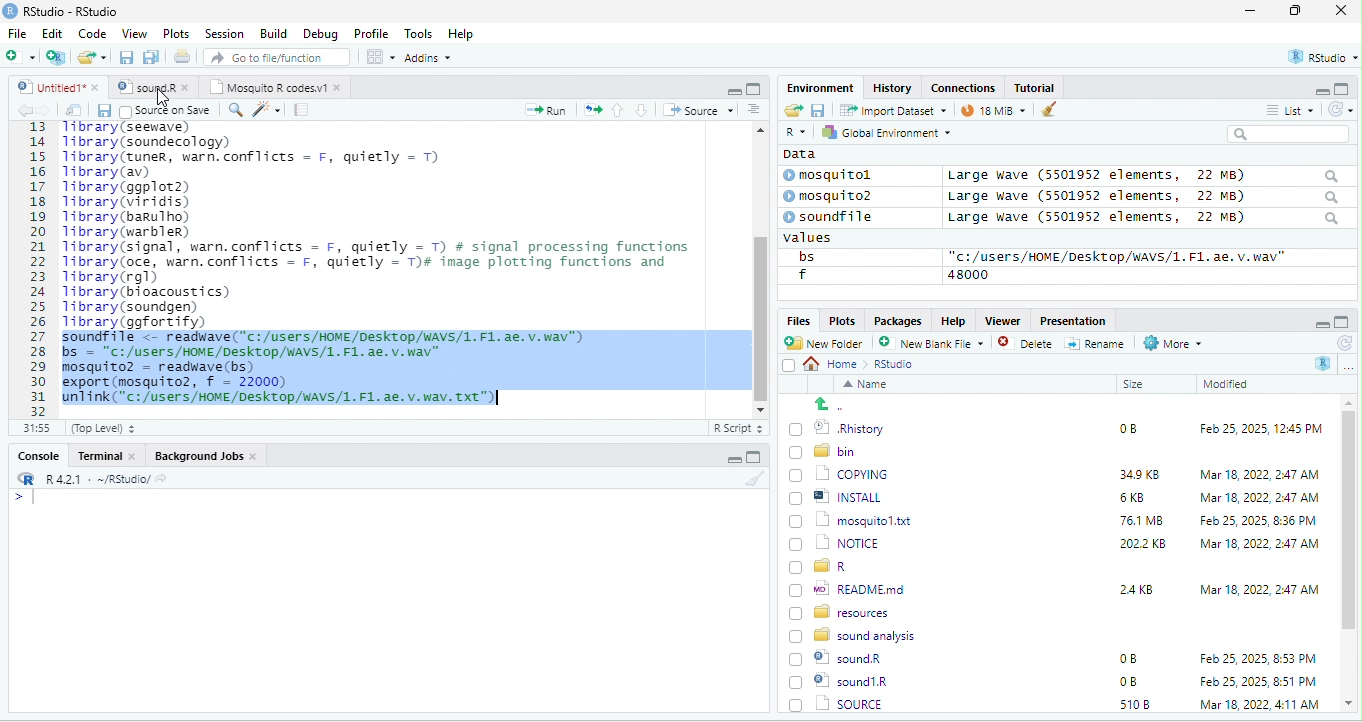 The image size is (1362, 722). I want to click on  Home, so click(836, 363).